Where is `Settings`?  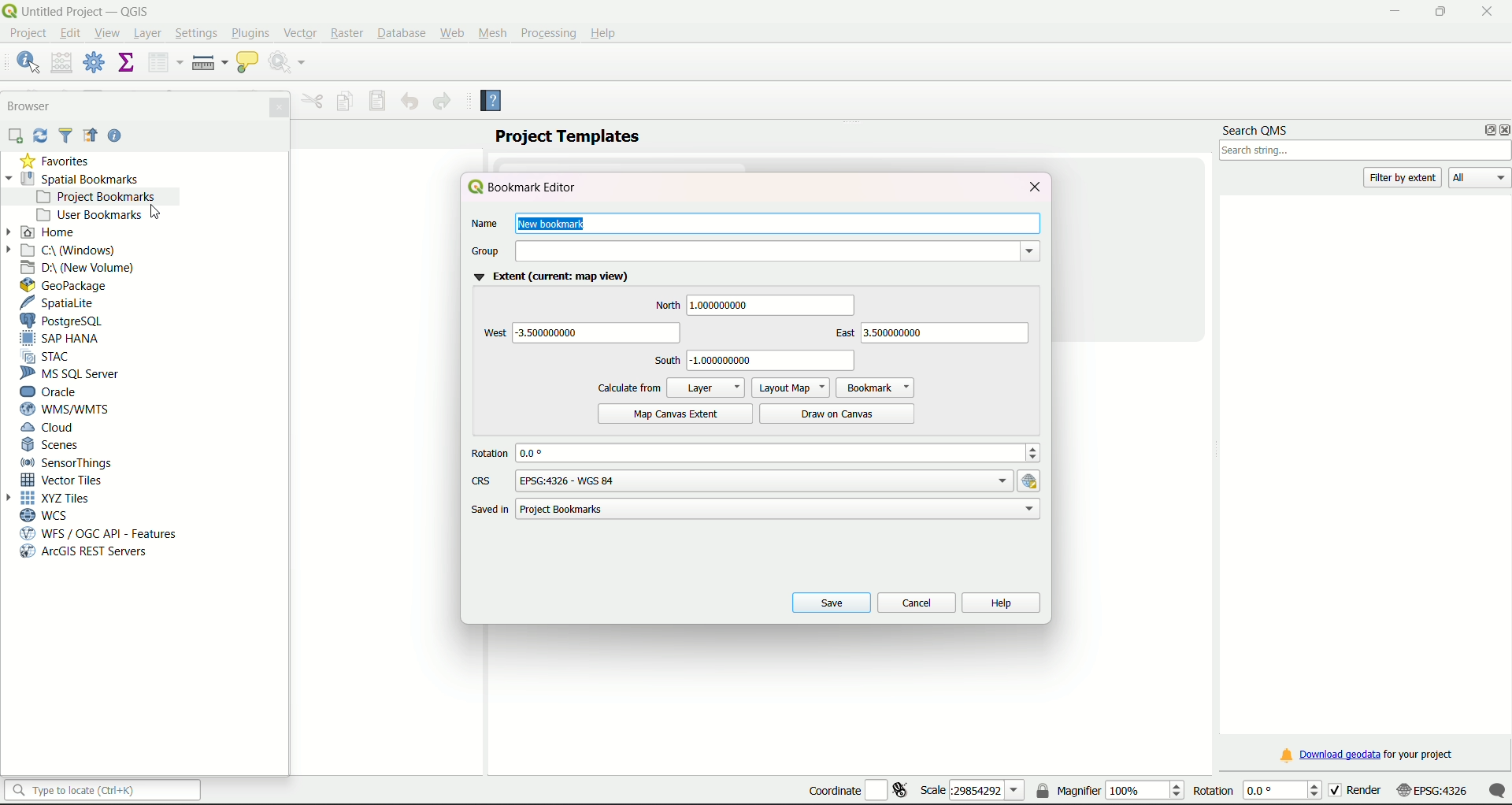 Settings is located at coordinates (197, 35).